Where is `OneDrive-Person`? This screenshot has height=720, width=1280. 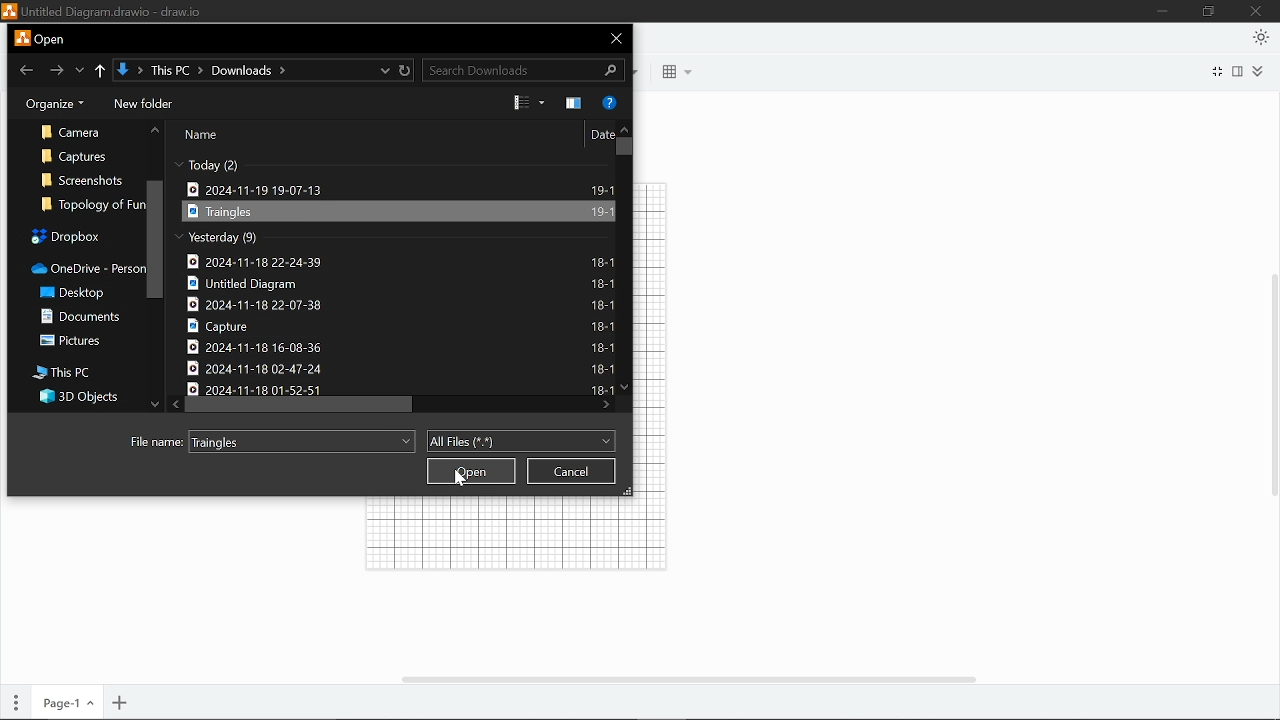 OneDrive-Person is located at coordinates (80, 268).